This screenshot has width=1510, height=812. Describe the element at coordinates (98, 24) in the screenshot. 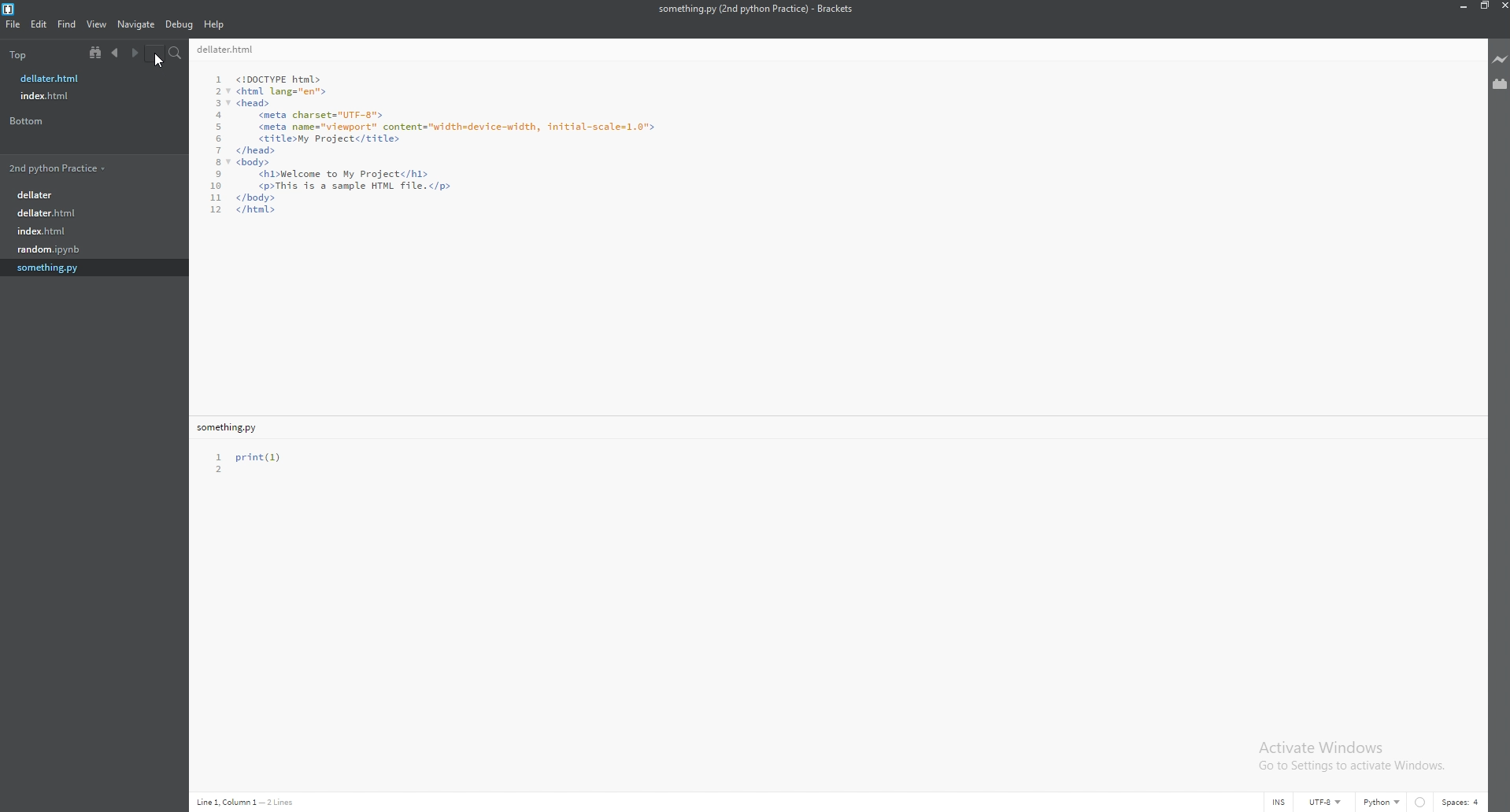

I see `view` at that location.